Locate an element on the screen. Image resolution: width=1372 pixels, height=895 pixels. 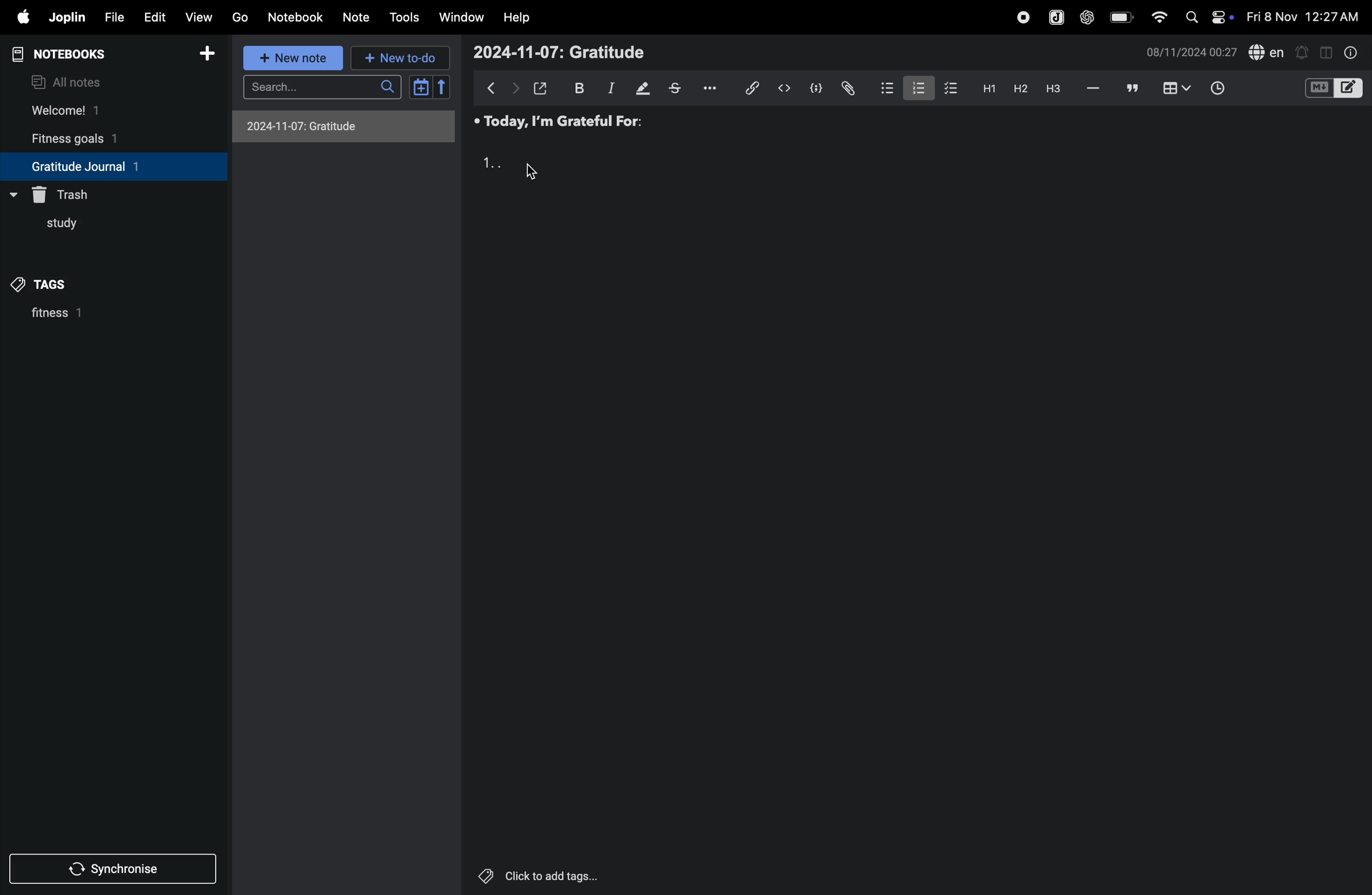
horrizontal line is located at coordinates (1094, 89).